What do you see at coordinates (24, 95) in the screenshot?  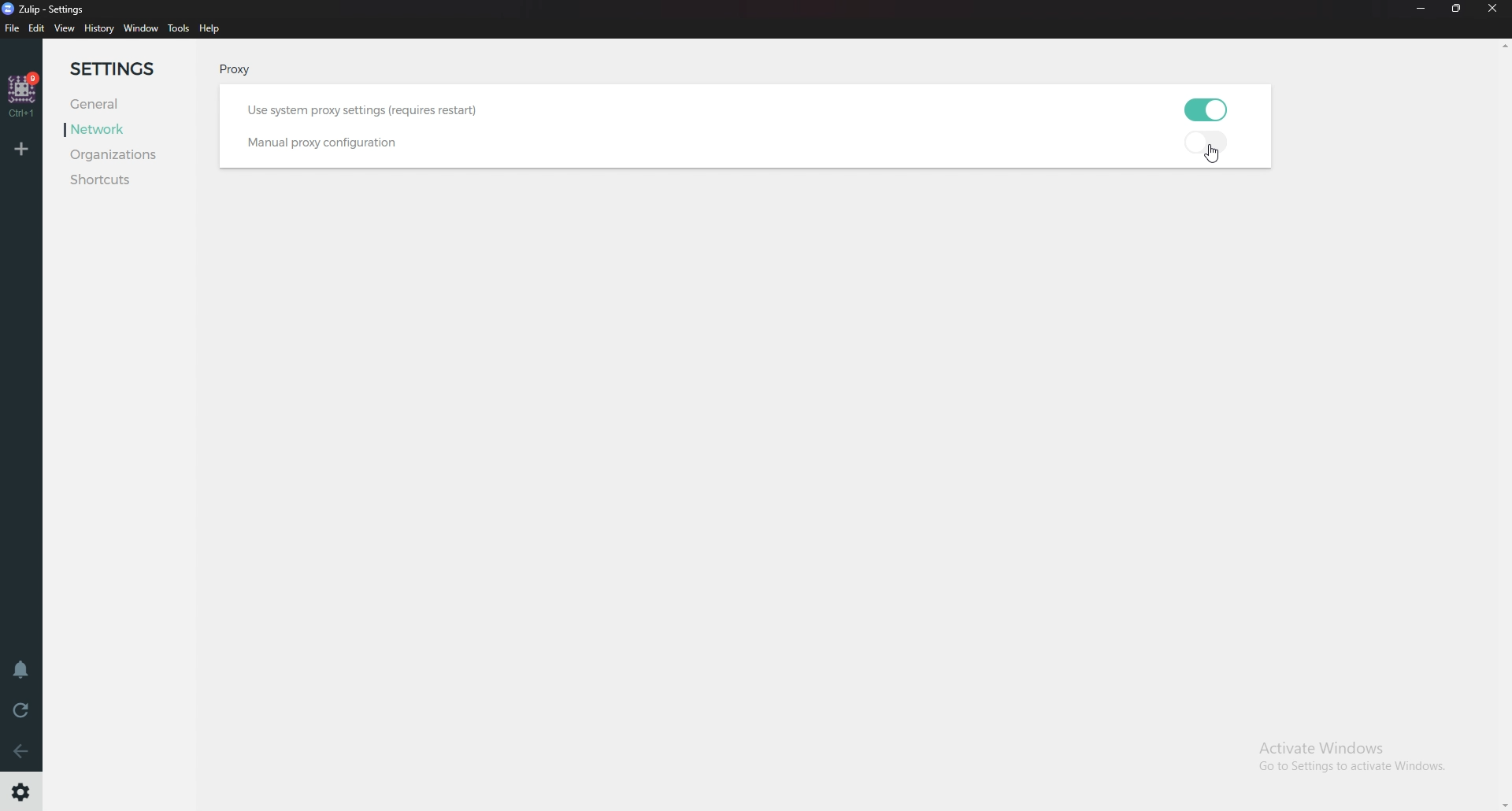 I see `Home` at bounding box center [24, 95].